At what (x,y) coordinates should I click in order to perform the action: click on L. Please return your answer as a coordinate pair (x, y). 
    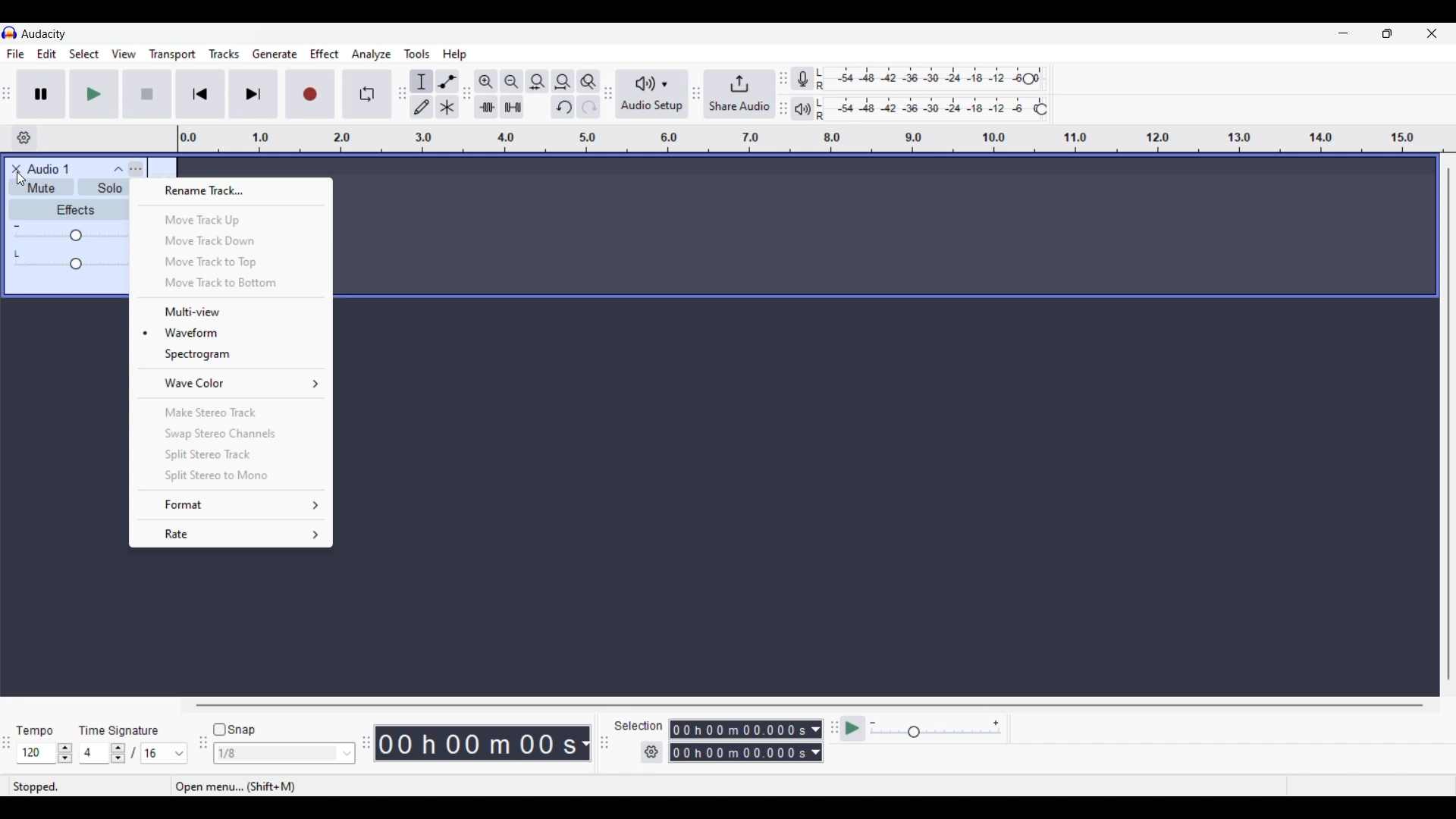
    Looking at the image, I should click on (18, 253).